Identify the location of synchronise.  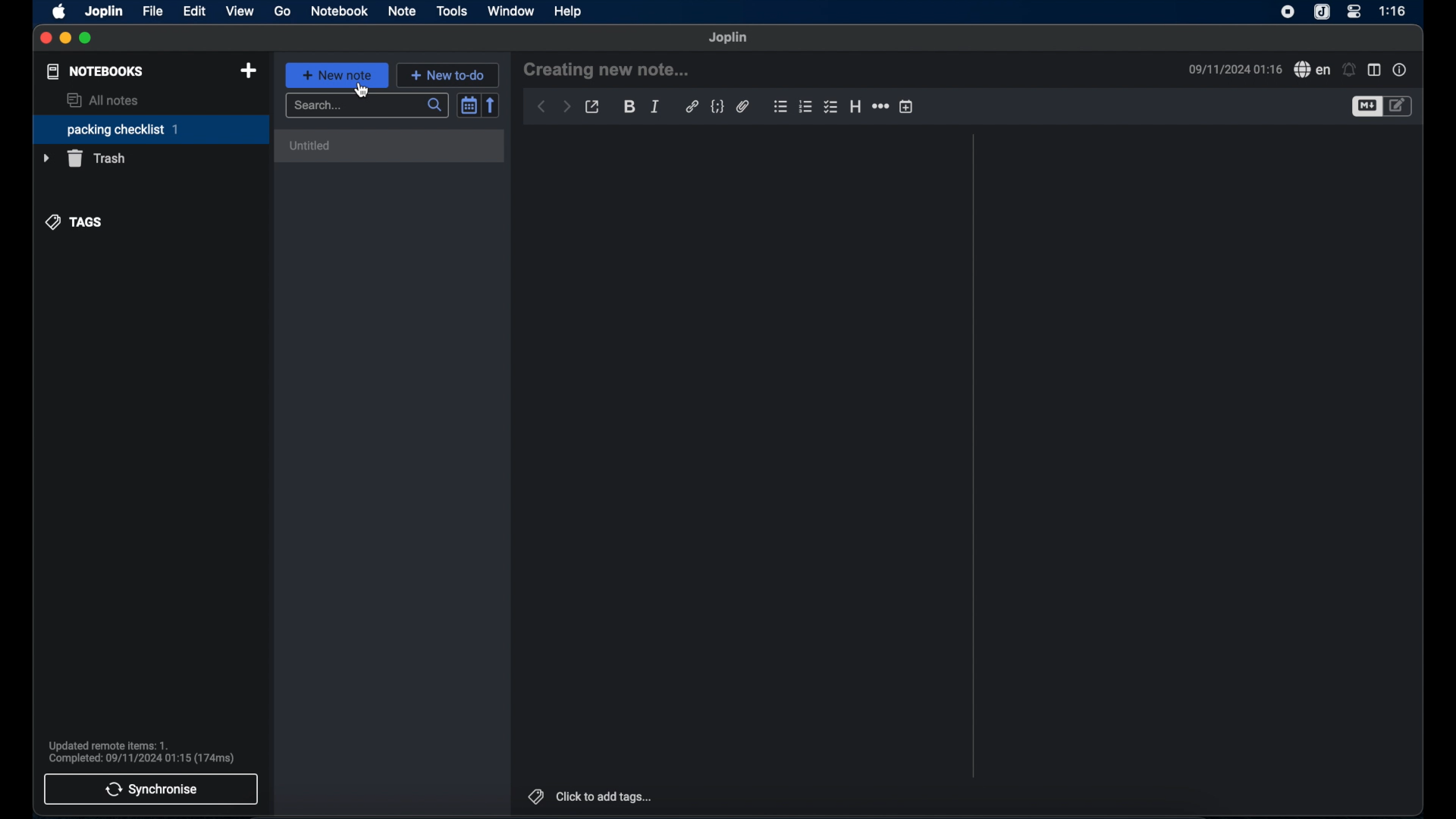
(150, 789).